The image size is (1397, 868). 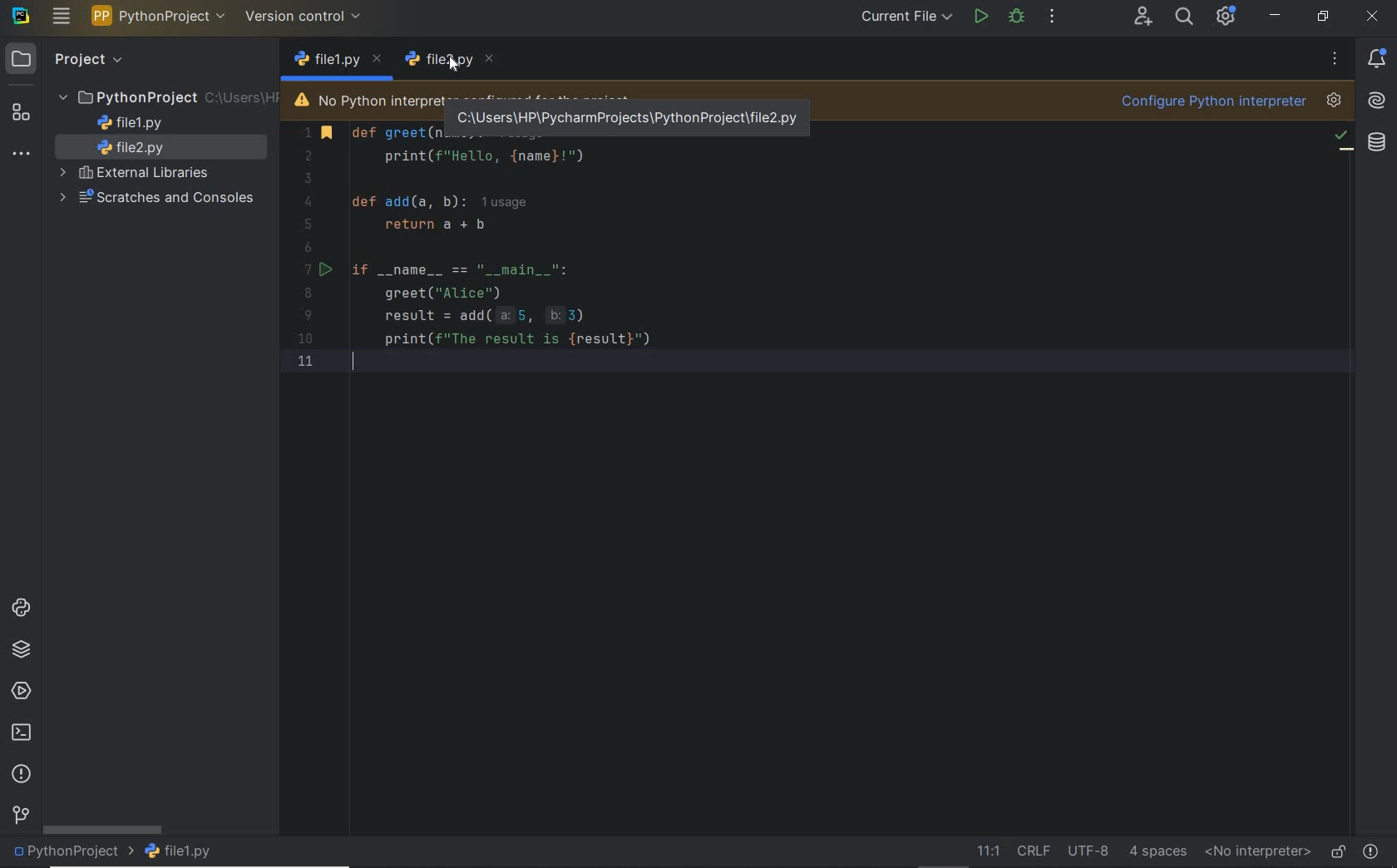 What do you see at coordinates (131, 123) in the screenshot?
I see `file name 1` at bounding box center [131, 123].